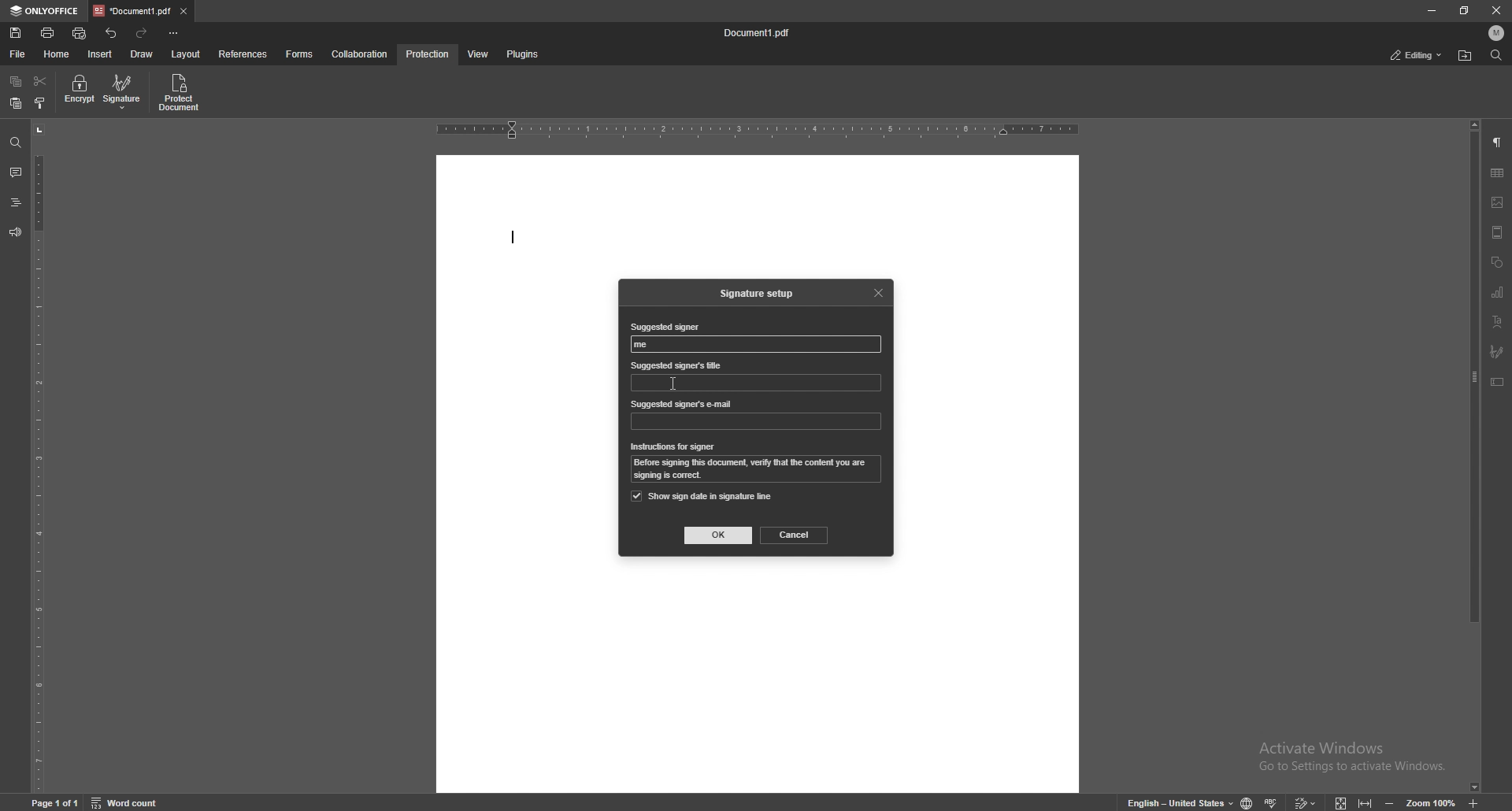 The image size is (1512, 811). What do you see at coordinates (1497, 232) in the screenshot?
I see `header and footer` at bounding box center [1497, 232].